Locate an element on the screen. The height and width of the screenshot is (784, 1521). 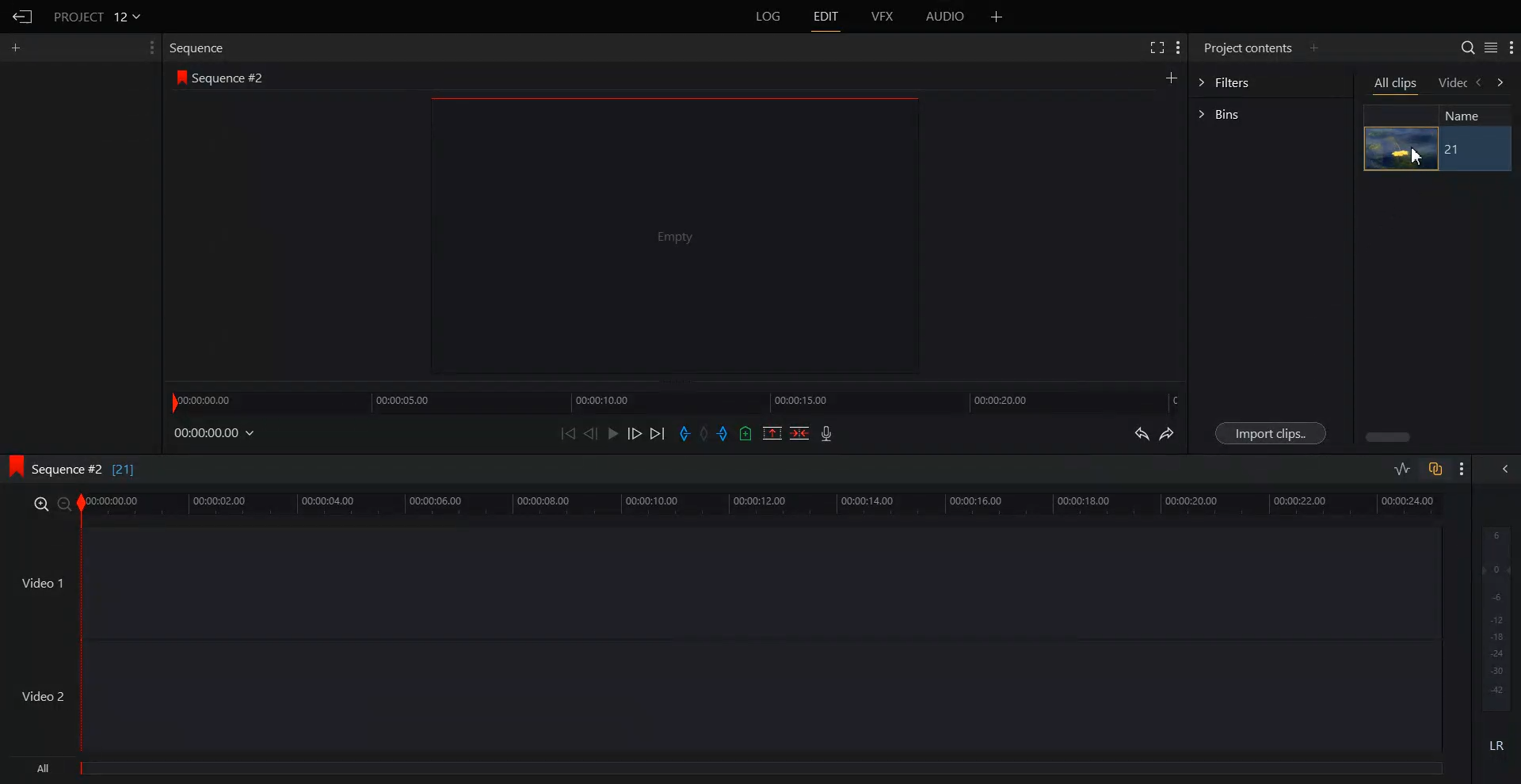
Timeline is located at coordinates (677, 400).